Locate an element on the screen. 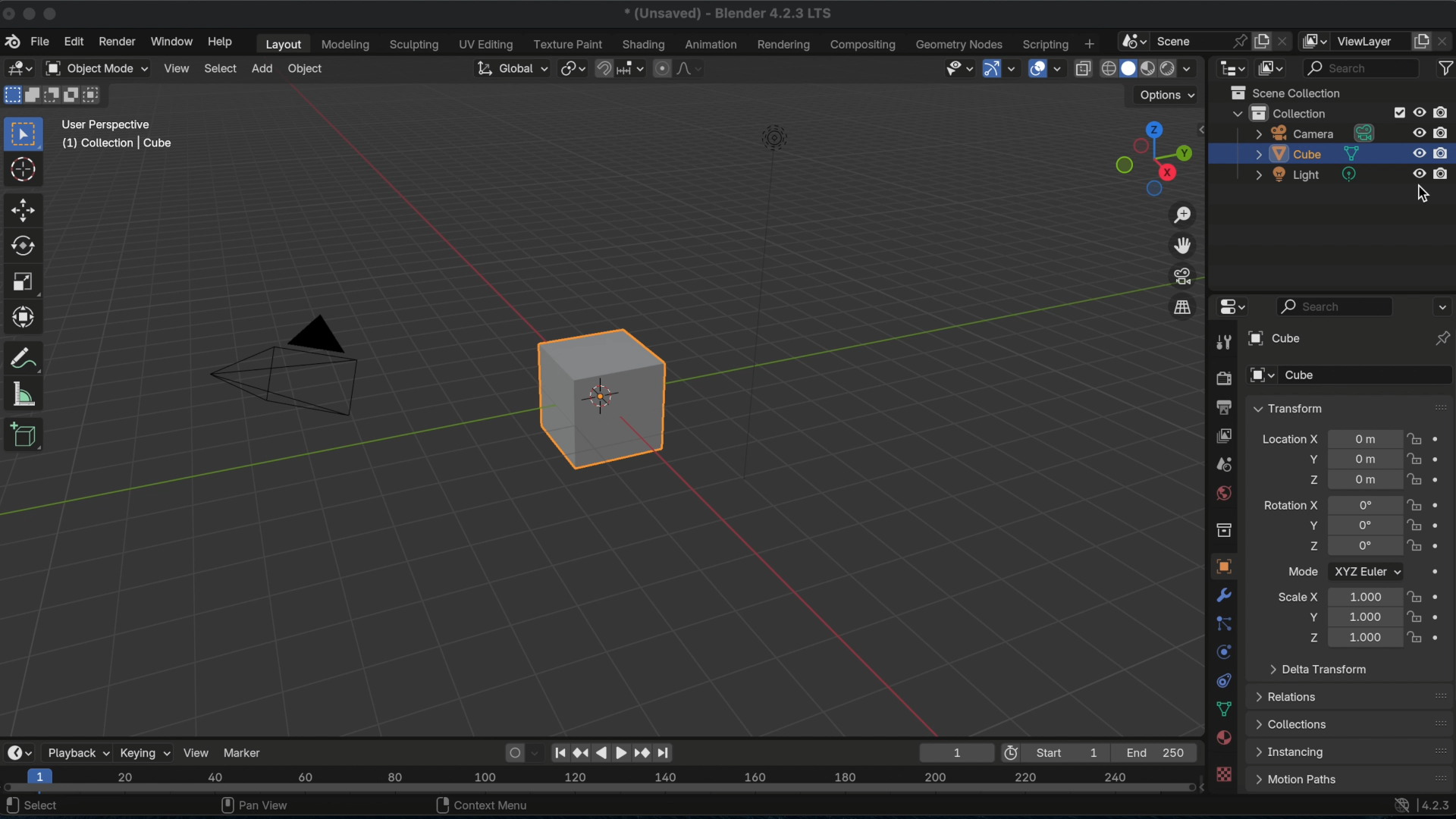 This screenshot has width=1456, height=819. view layer is located at coordinates (1225, 435).